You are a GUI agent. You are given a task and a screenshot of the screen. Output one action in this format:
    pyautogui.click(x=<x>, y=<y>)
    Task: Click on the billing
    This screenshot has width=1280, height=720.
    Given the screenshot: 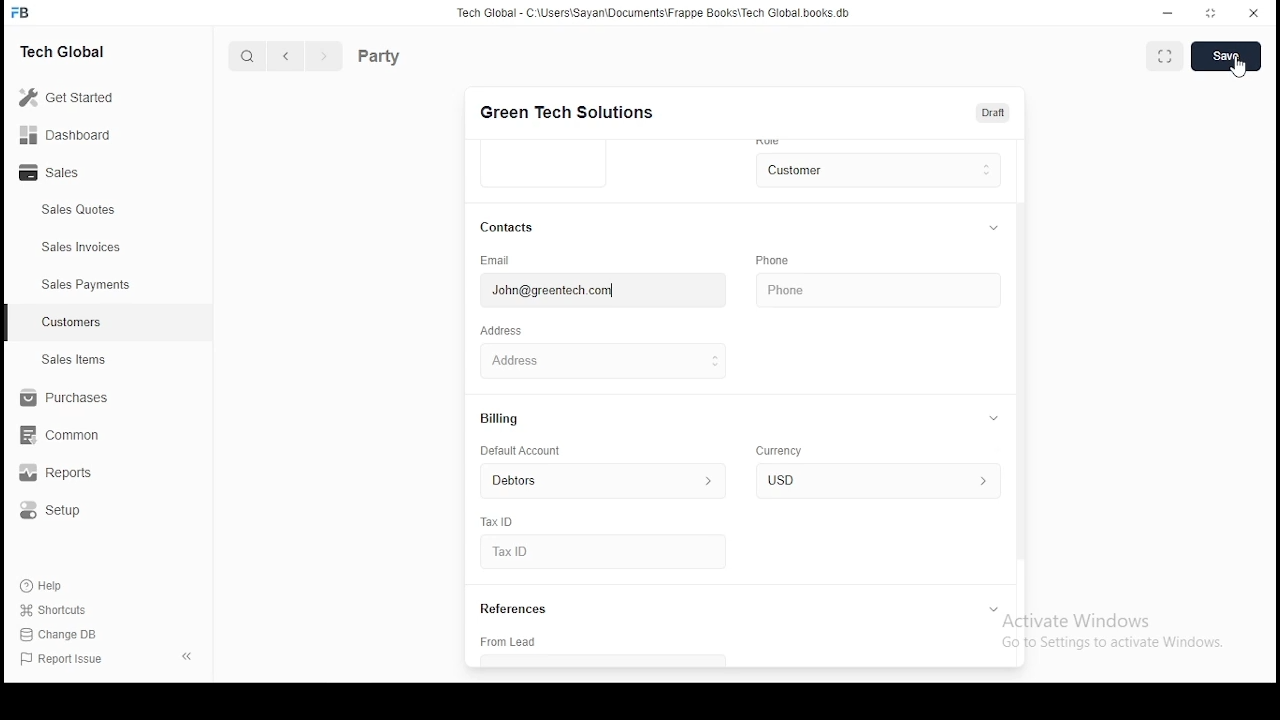 What is the action you would take?
    pyautogui.click(x=502, y=418)
    